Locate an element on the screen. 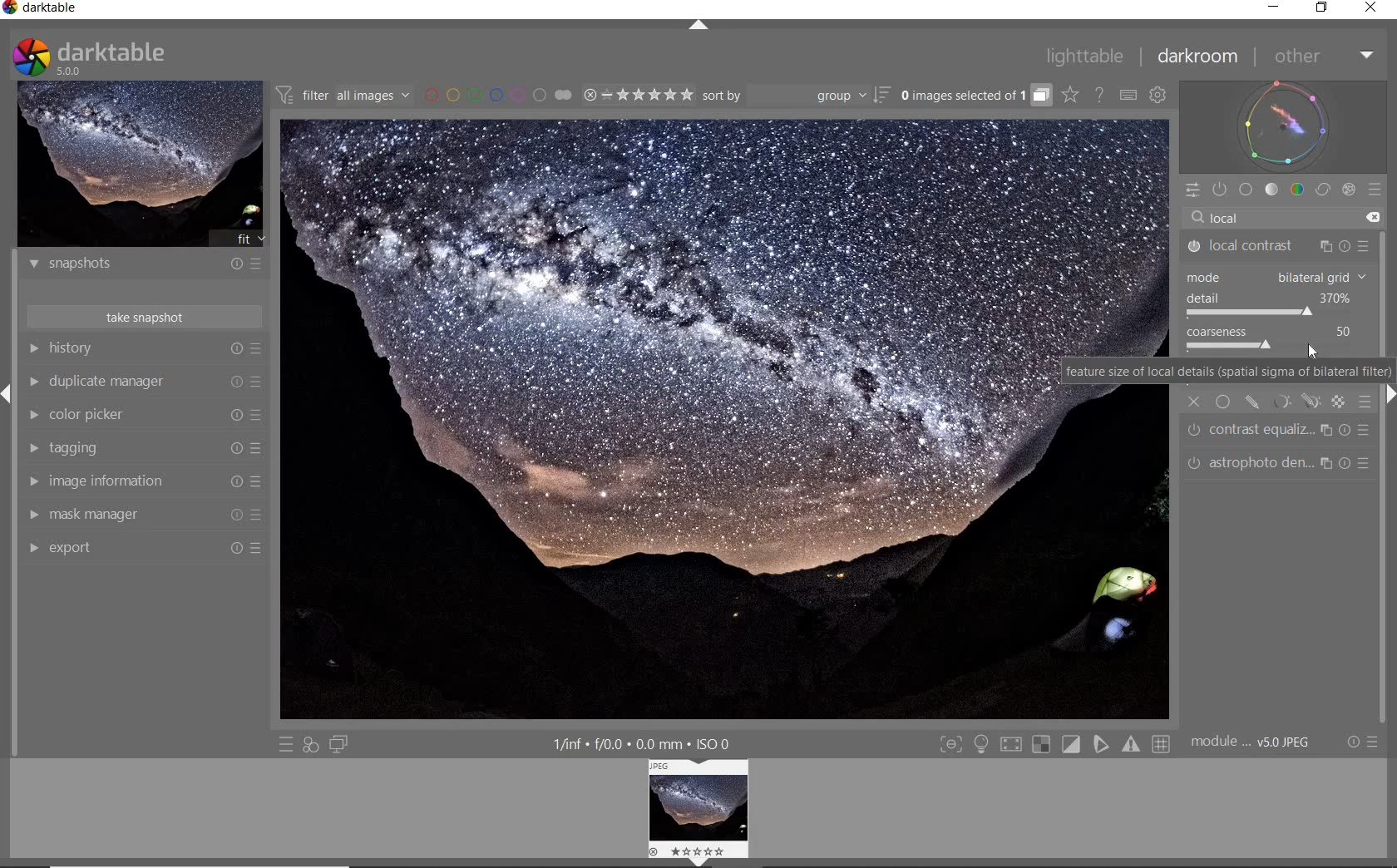 Image resolution: width=1397 pixels, height=868 pixels. FILTER IMAGES BASED ON THEIR MODULE ORDER is located at coordinates (343, 95).